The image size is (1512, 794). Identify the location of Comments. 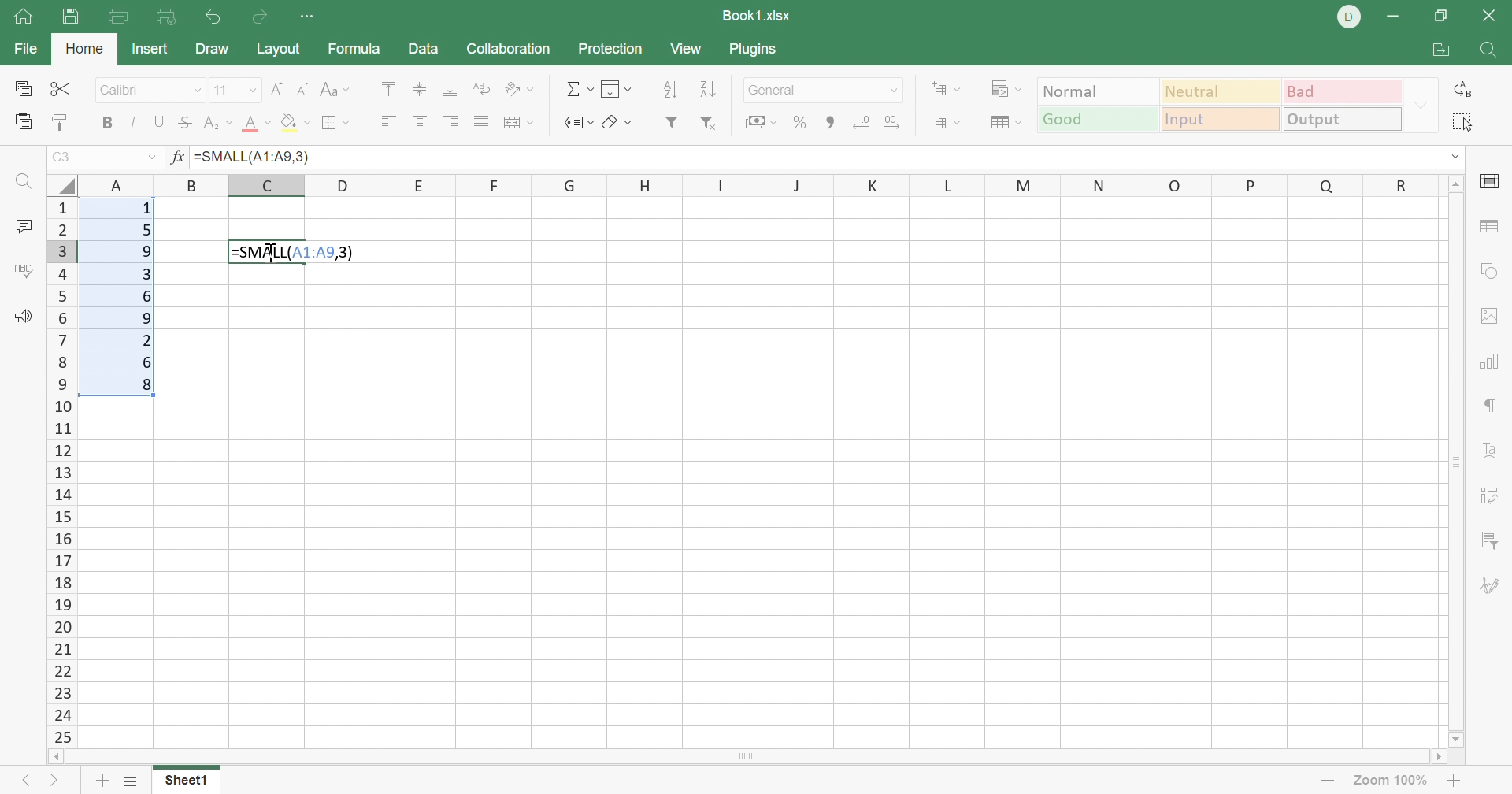
(23, 223).